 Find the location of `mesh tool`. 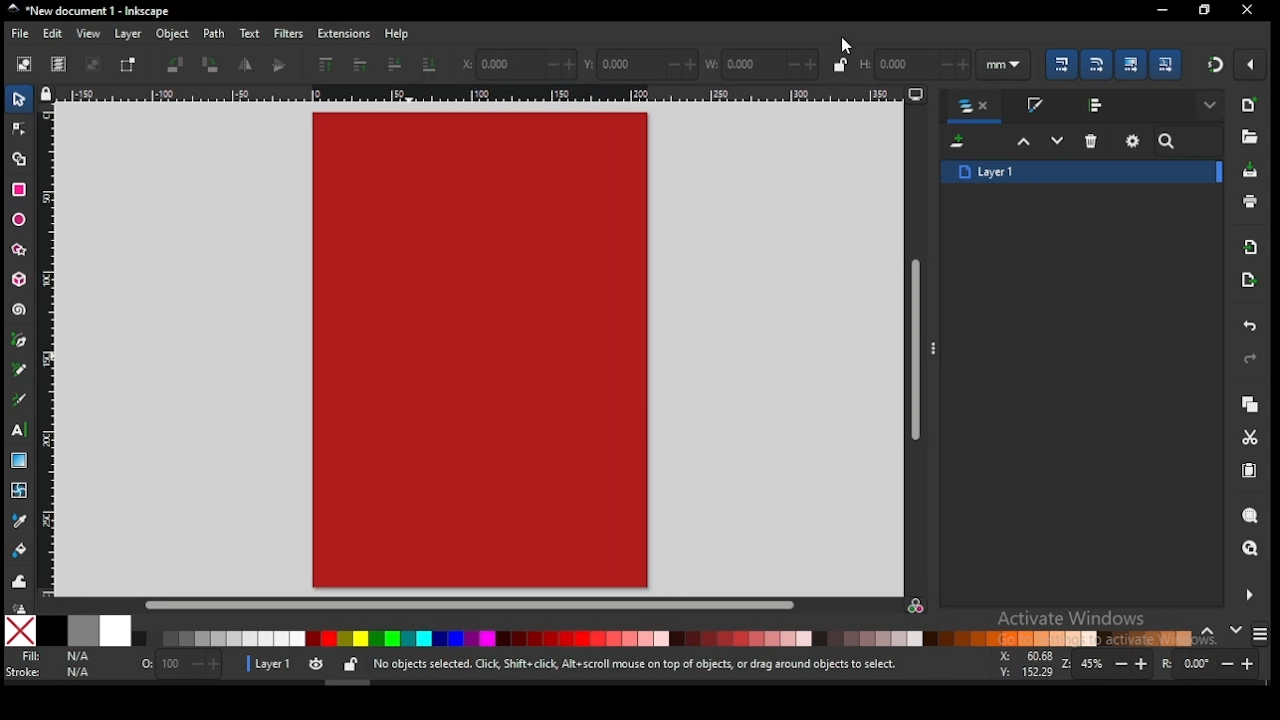

mesh tool is located at coordinates (21, 491).